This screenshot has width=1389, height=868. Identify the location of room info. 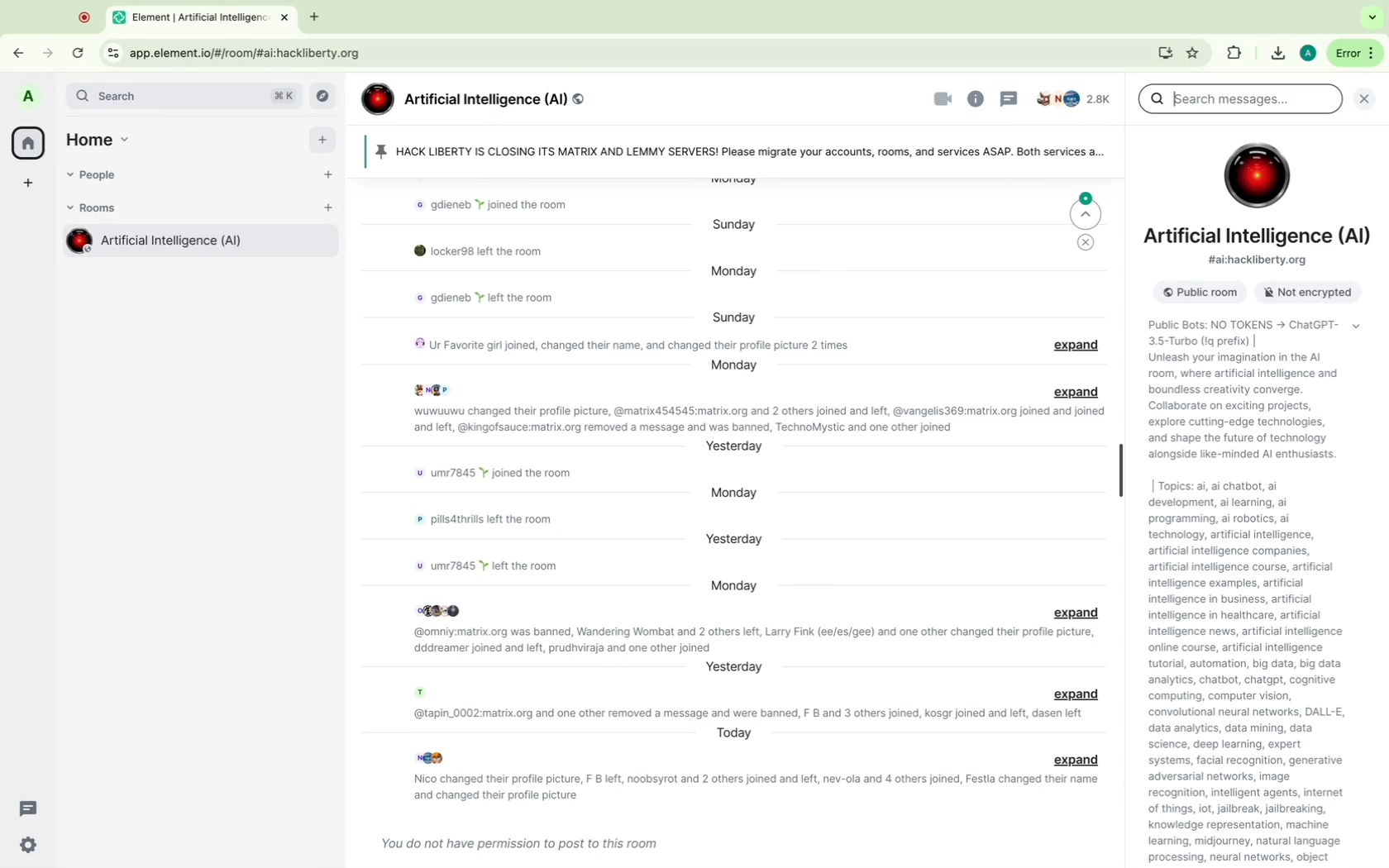
(976, 98).